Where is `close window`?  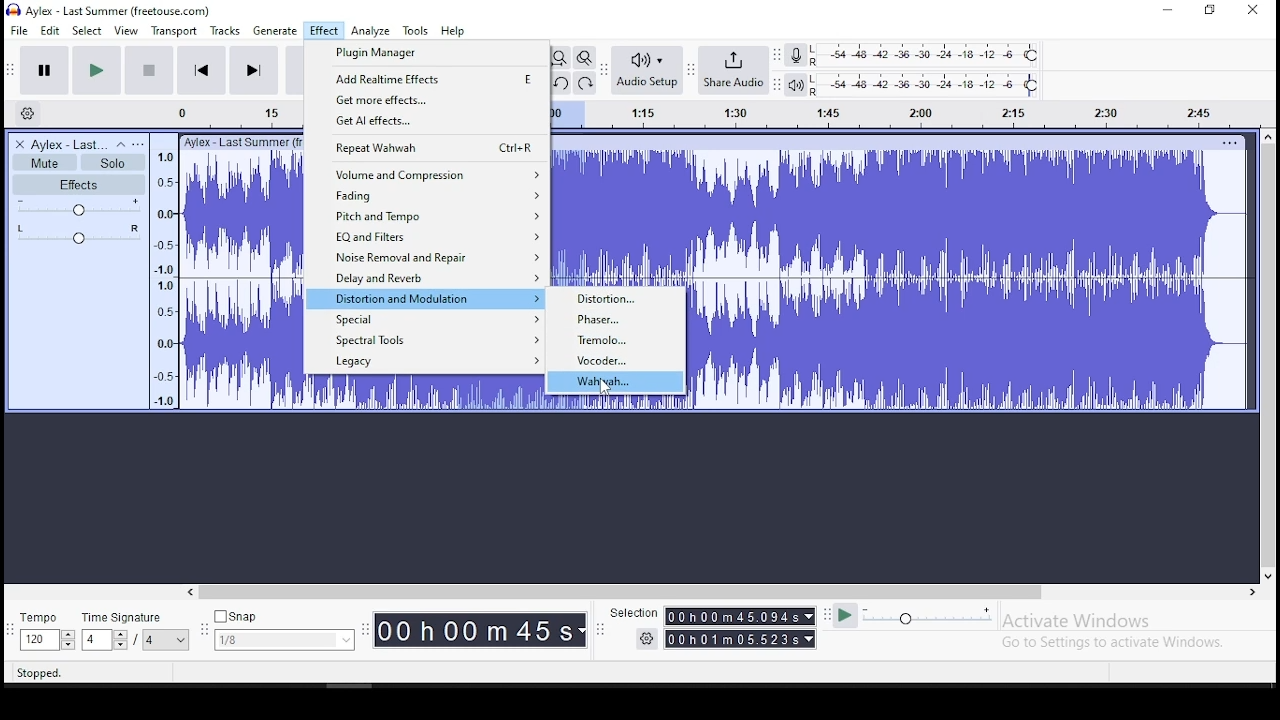
close window is located at coordinates (1253, 11).